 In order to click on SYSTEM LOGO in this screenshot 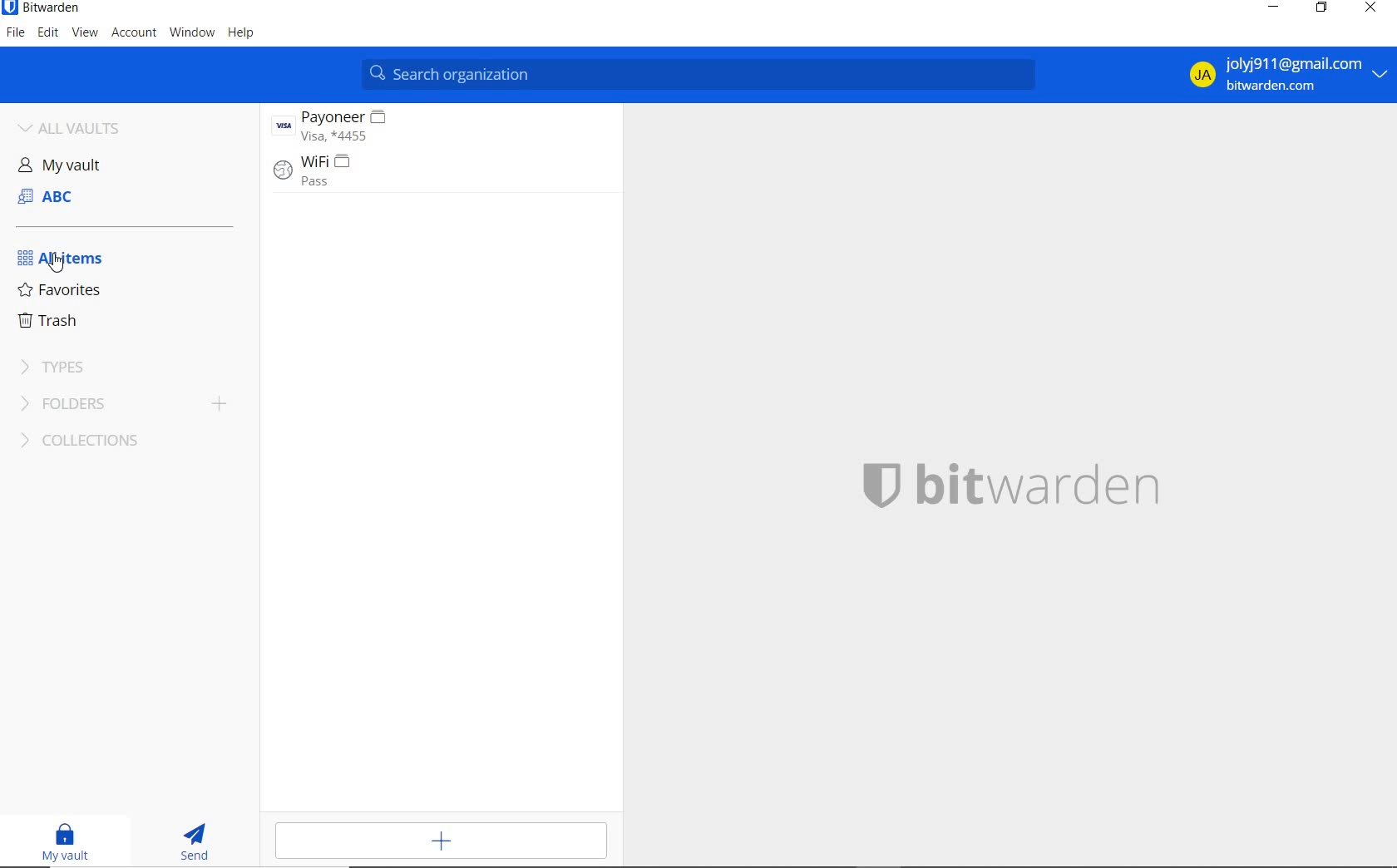, I will do `click(1042, 482)`.